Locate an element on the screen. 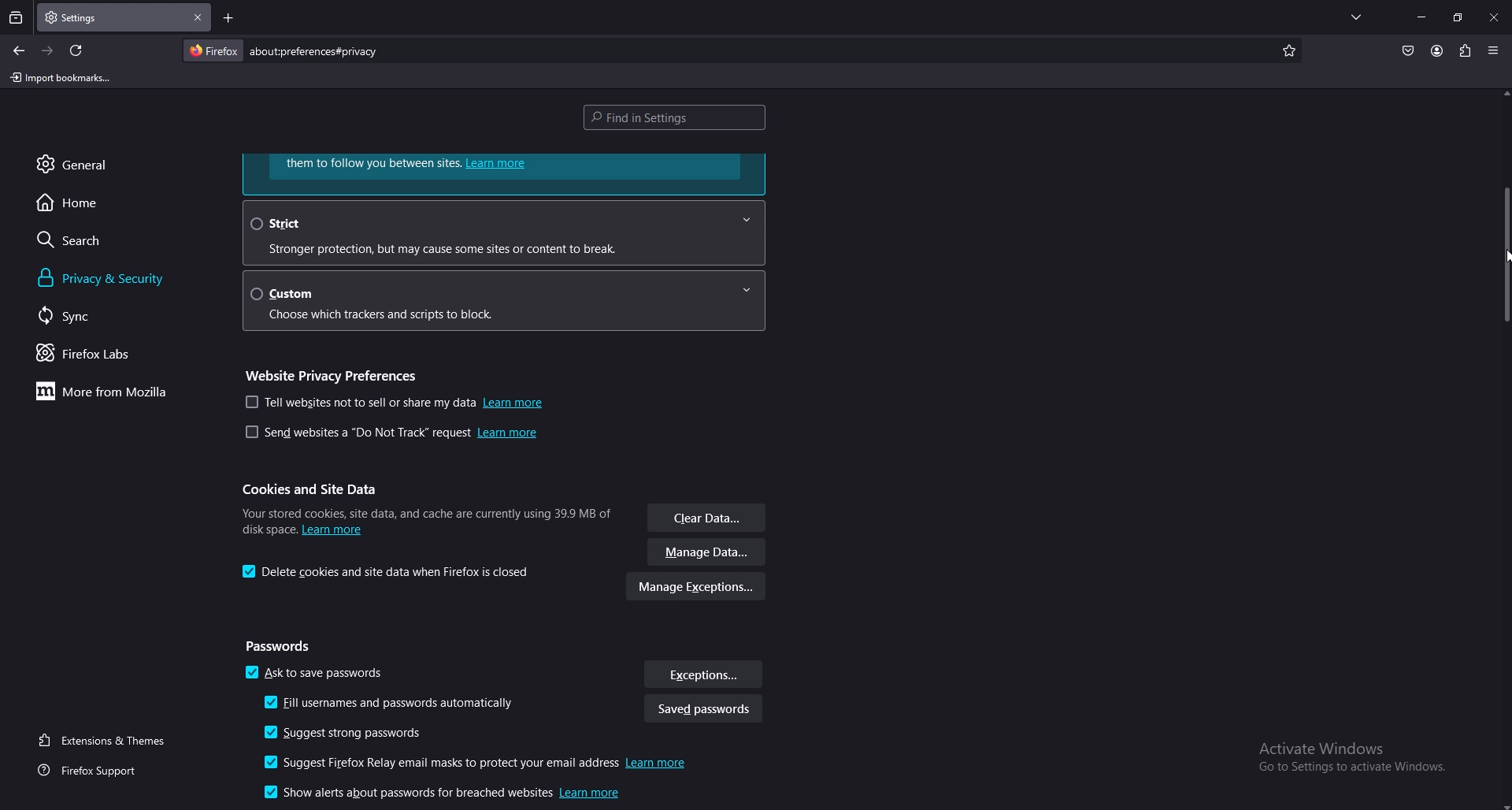  manage data is located at coordinates (708, 553).